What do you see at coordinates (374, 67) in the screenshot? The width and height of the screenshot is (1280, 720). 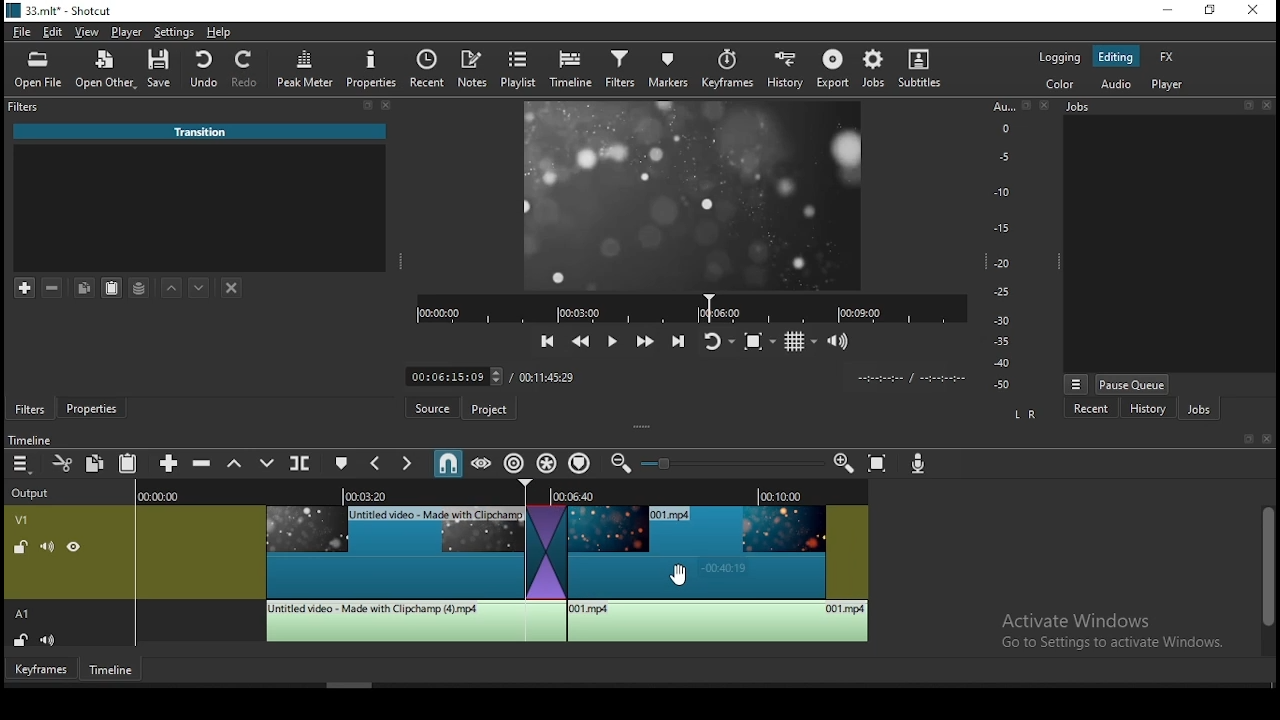 I see `properties` at bounding box center [374, 67].